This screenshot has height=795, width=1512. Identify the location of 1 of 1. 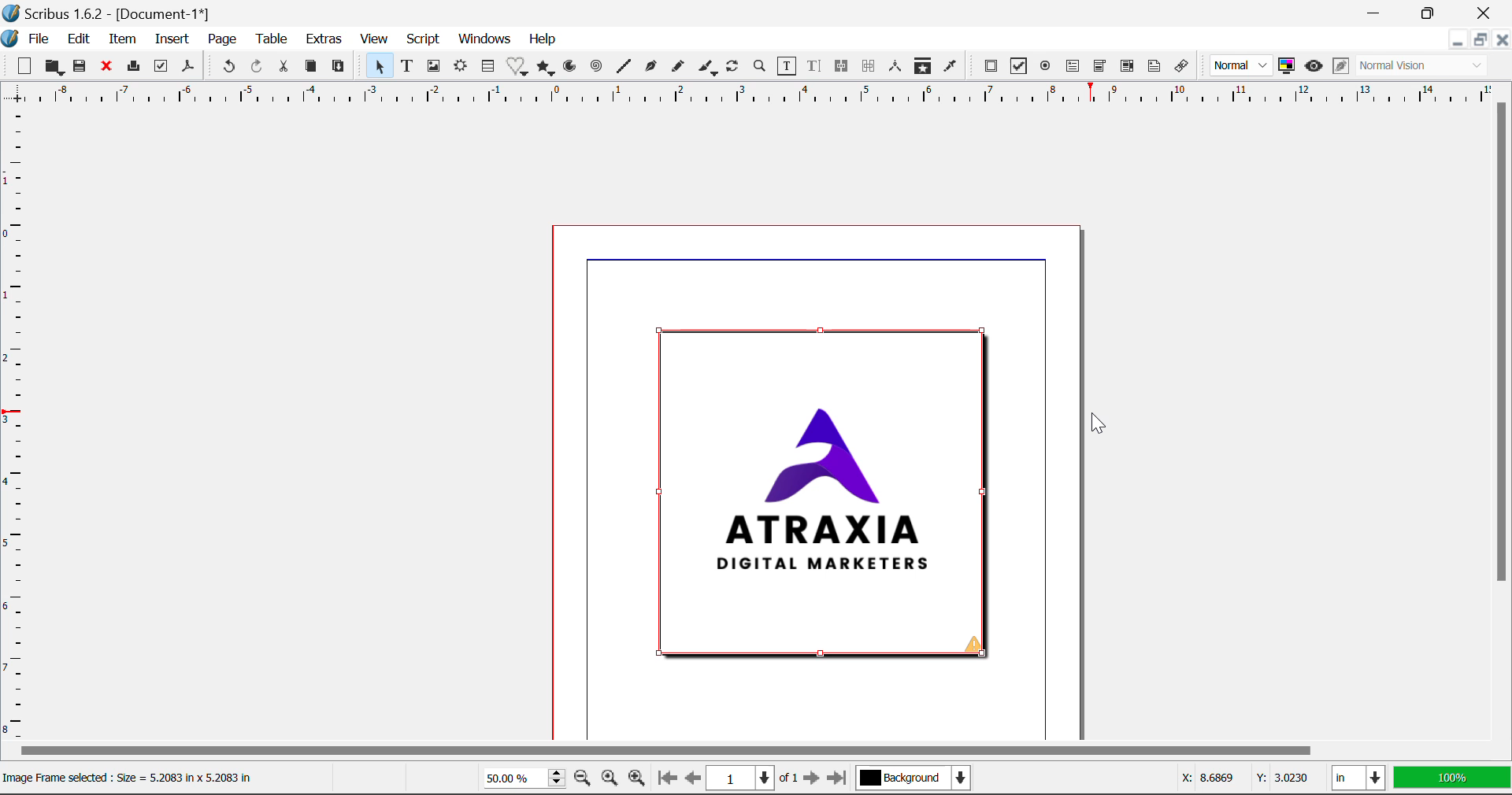
(751, 778).